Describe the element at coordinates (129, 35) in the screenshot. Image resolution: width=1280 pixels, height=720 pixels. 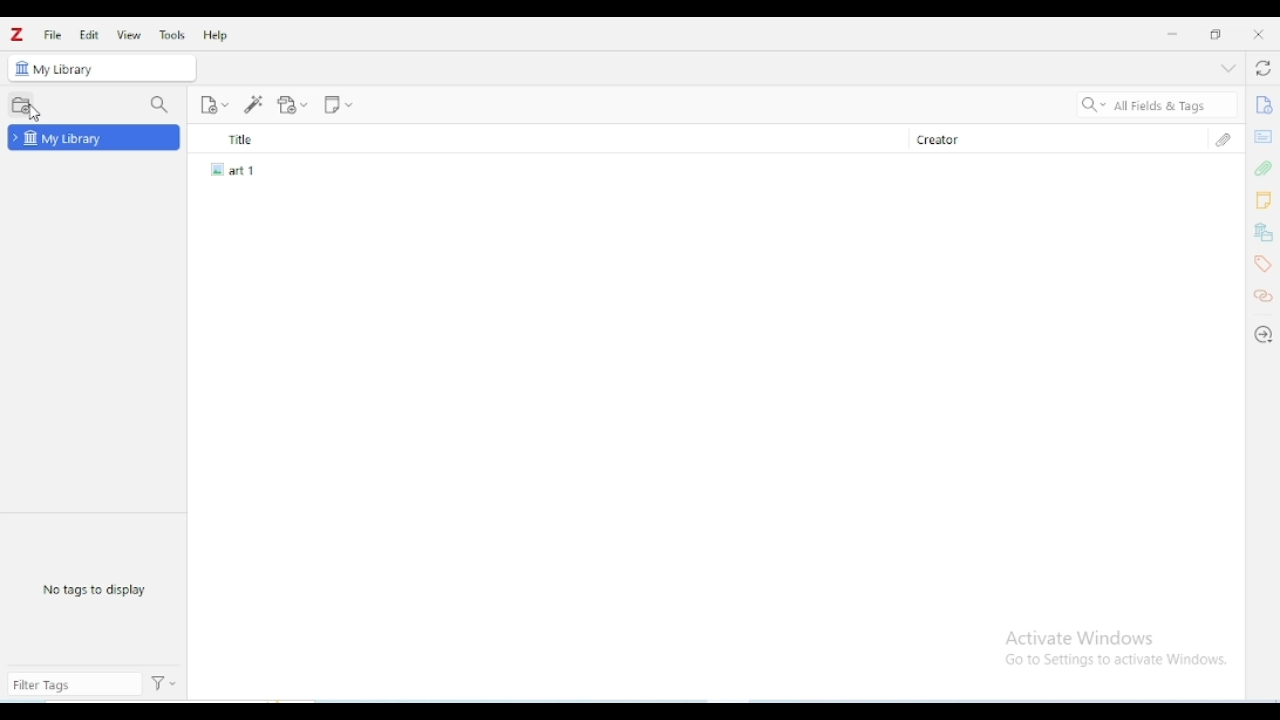
I see `view` at that location.